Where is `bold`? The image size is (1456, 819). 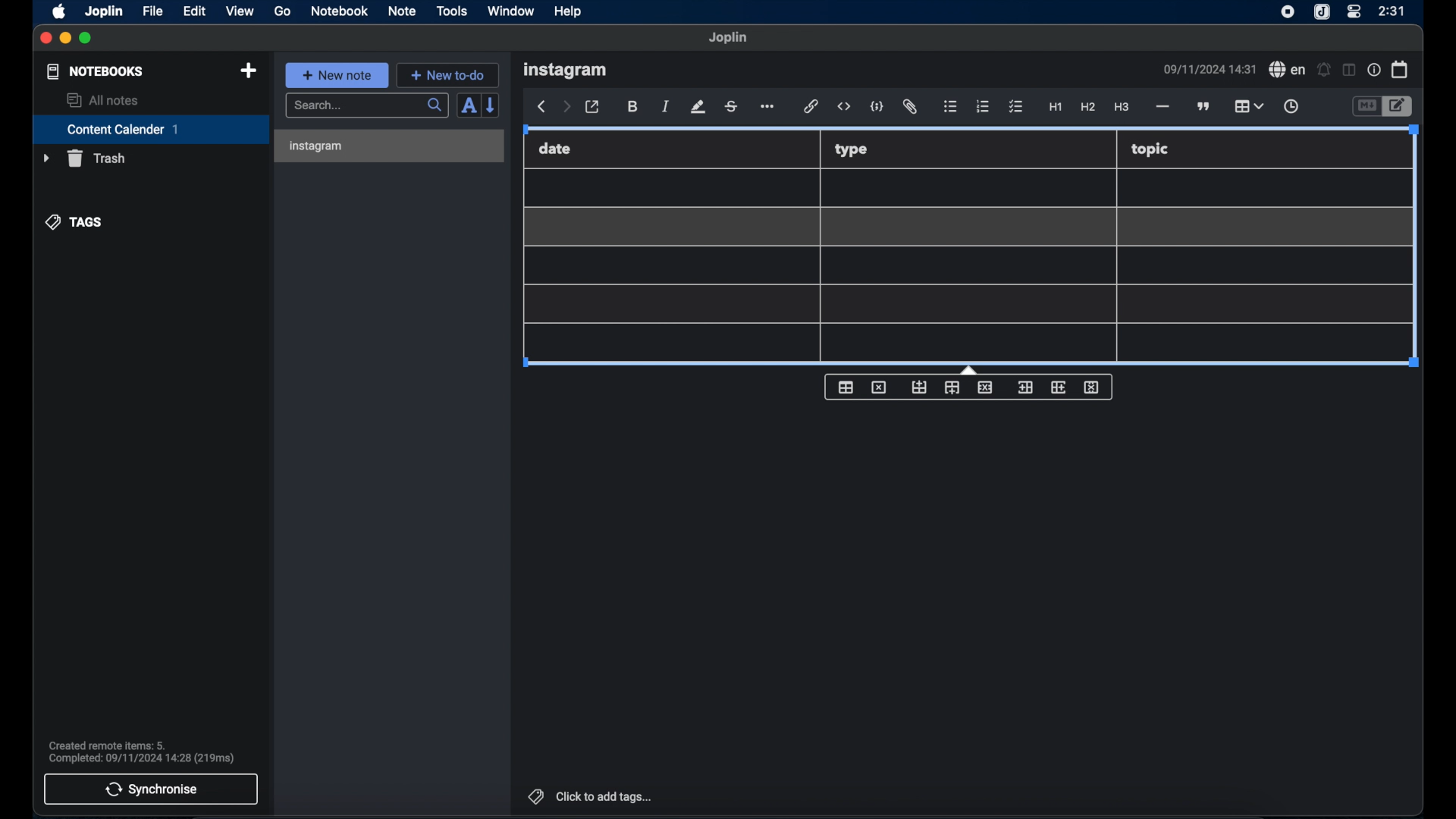 bold is located at coordinates (633, 107).